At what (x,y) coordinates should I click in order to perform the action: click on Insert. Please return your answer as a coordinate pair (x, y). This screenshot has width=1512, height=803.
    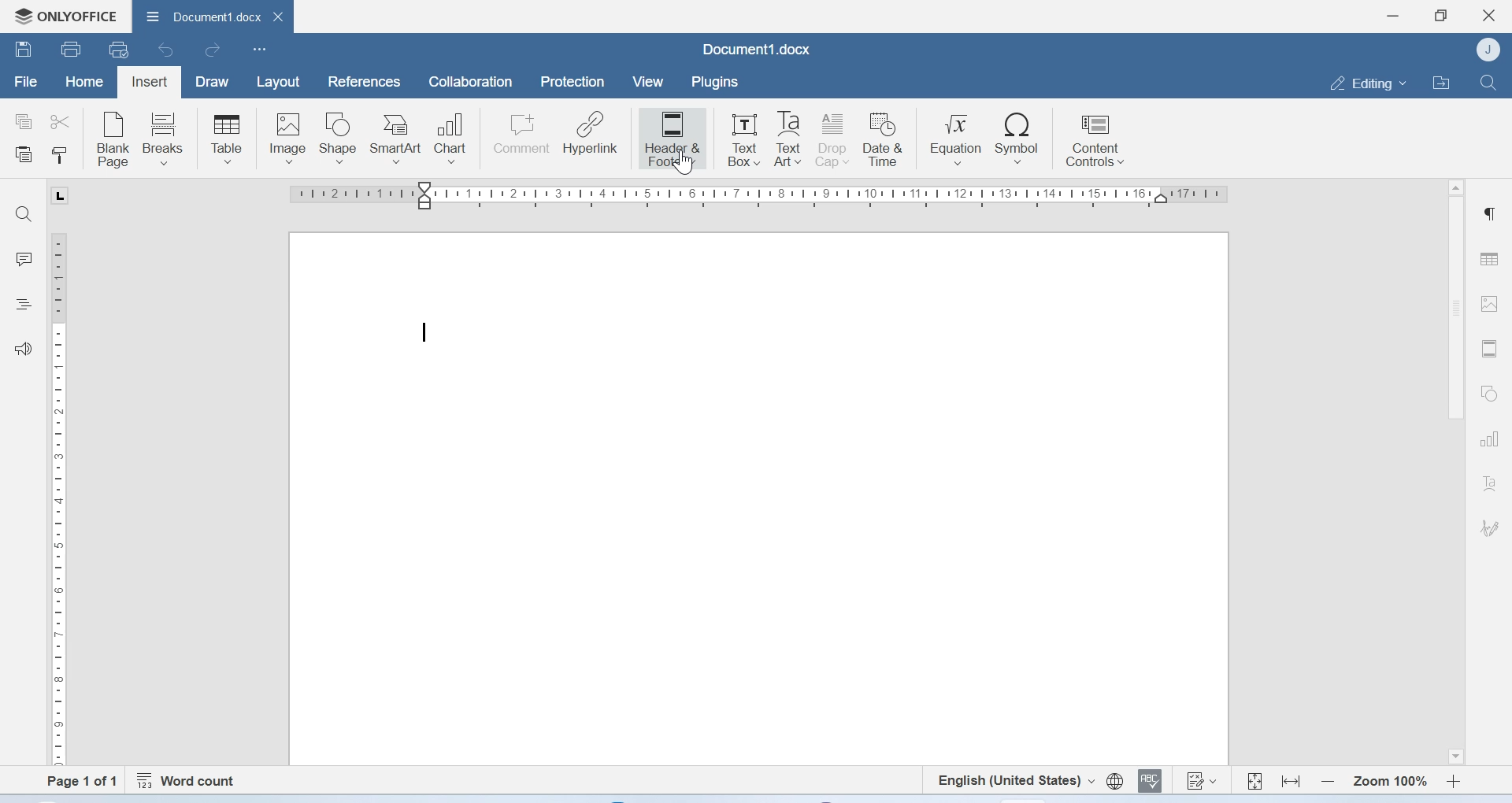
    Looking at the image, I should click on (150, 80).